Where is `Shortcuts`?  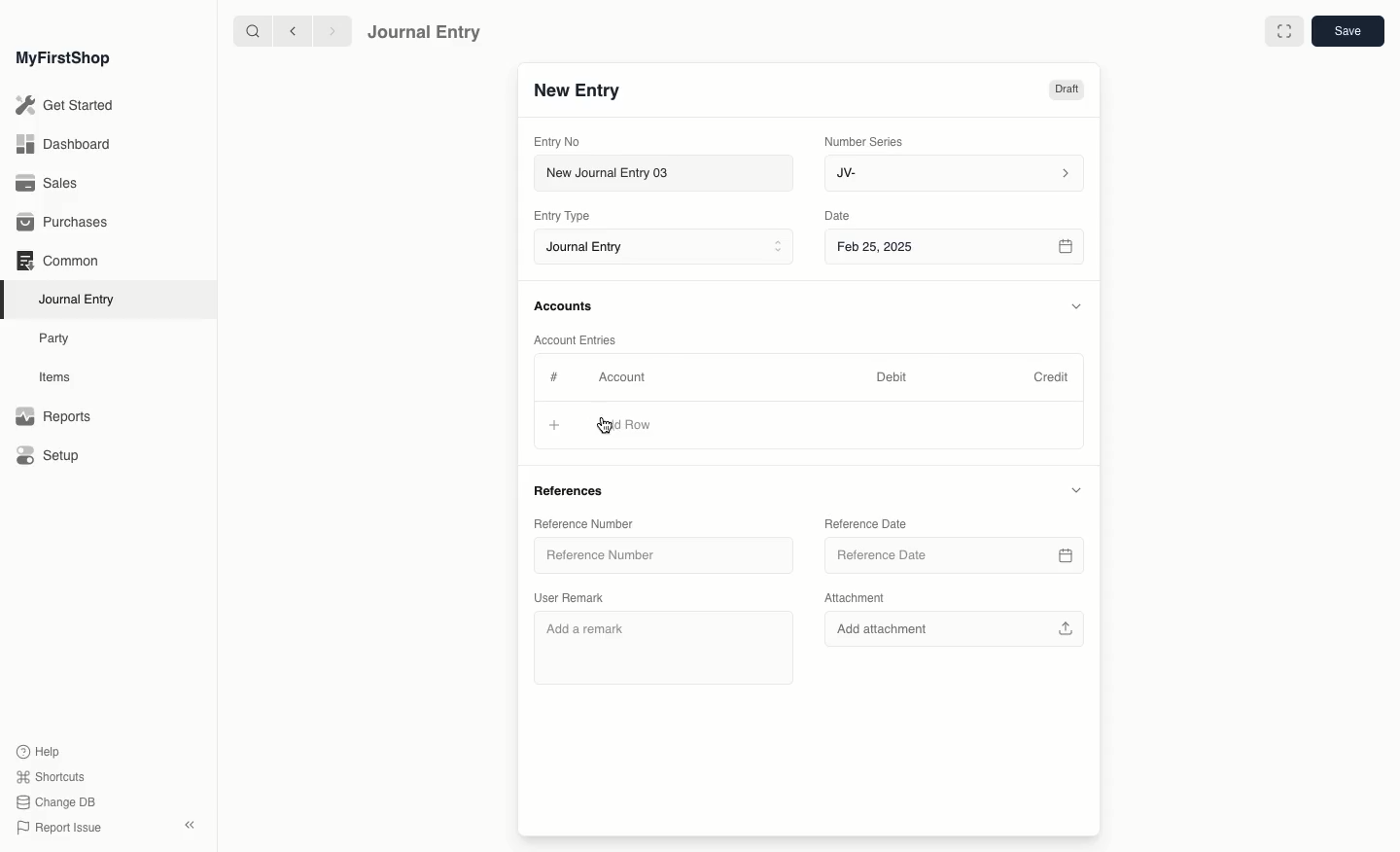 Shortcuts is located at coordinates (48, 775).